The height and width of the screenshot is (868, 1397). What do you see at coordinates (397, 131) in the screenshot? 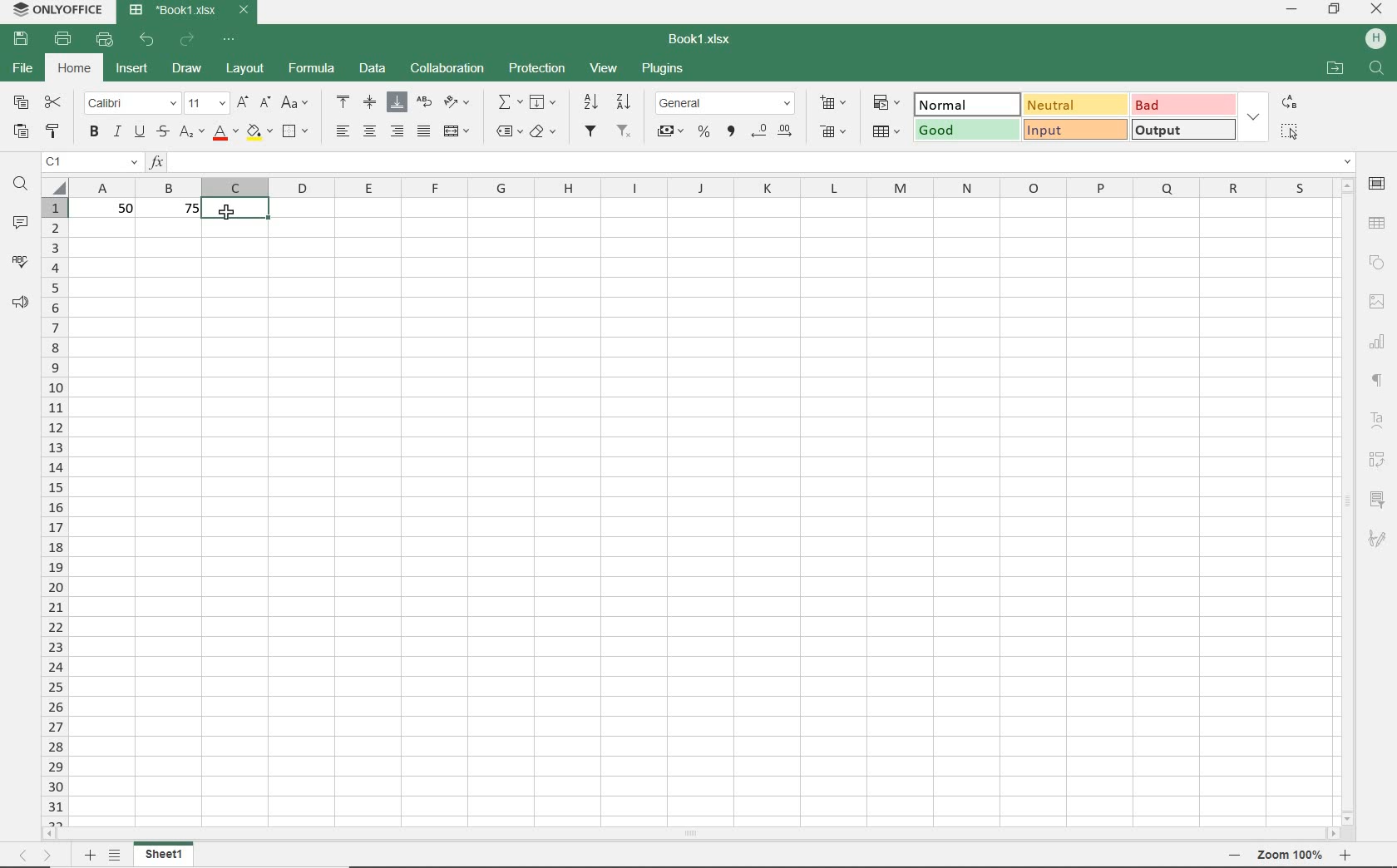
I see `align right` at bounding box center [397, 131].